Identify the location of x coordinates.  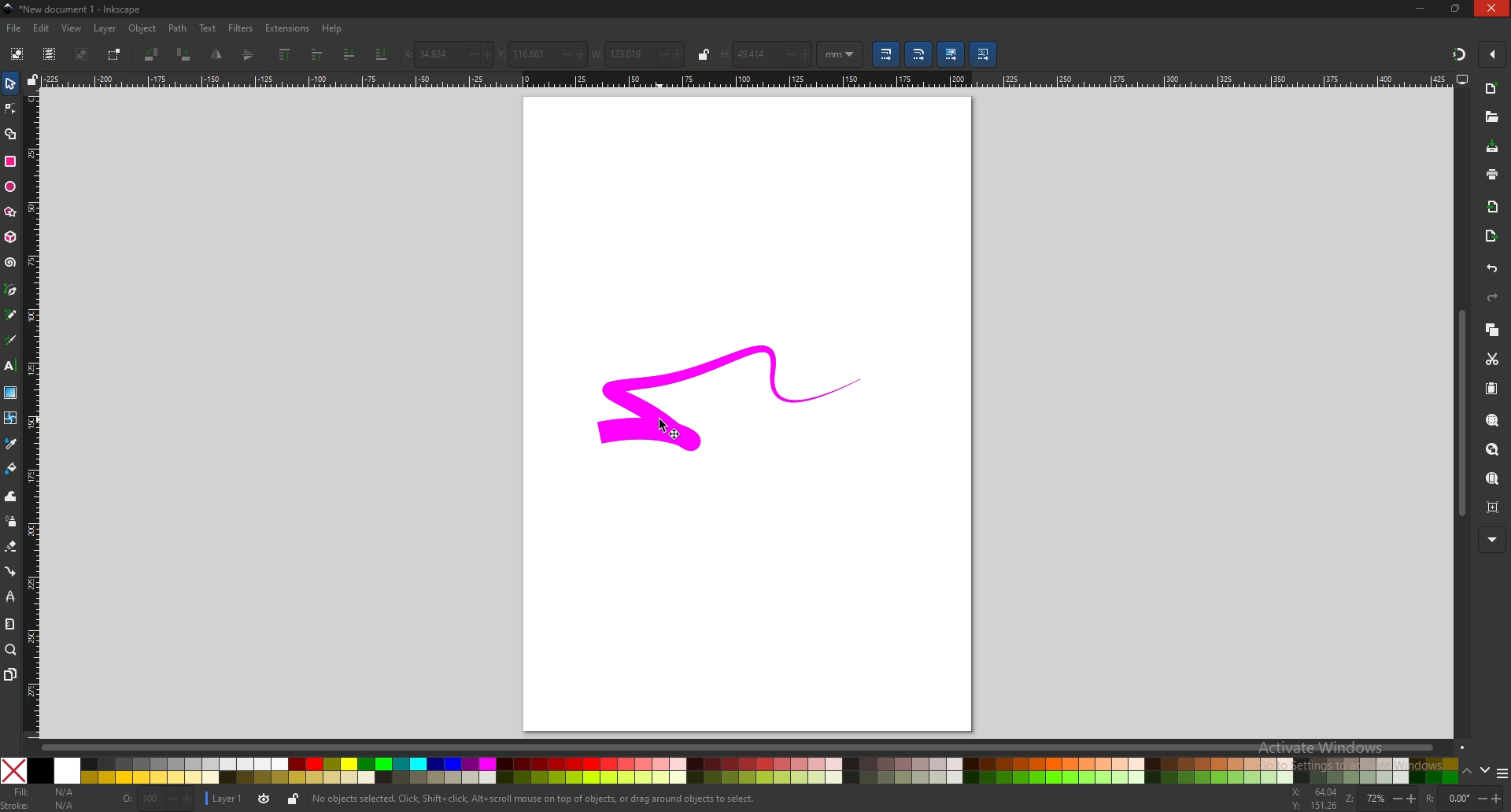
(446, 54).